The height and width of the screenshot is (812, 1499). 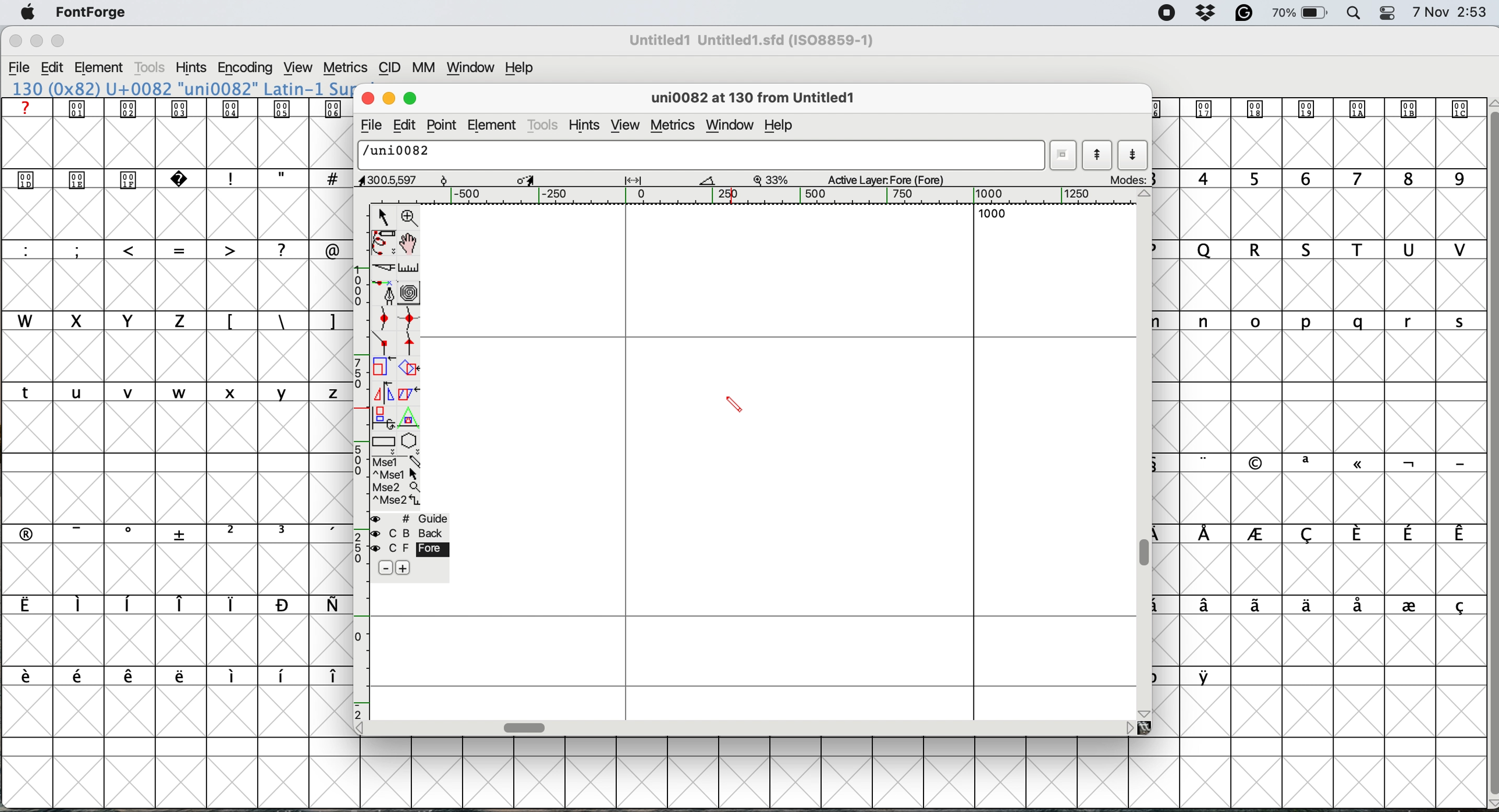 What do you see at coordinates (106, 177) in the screenshot?
I see `special icons` at bounding box center [106, 177].